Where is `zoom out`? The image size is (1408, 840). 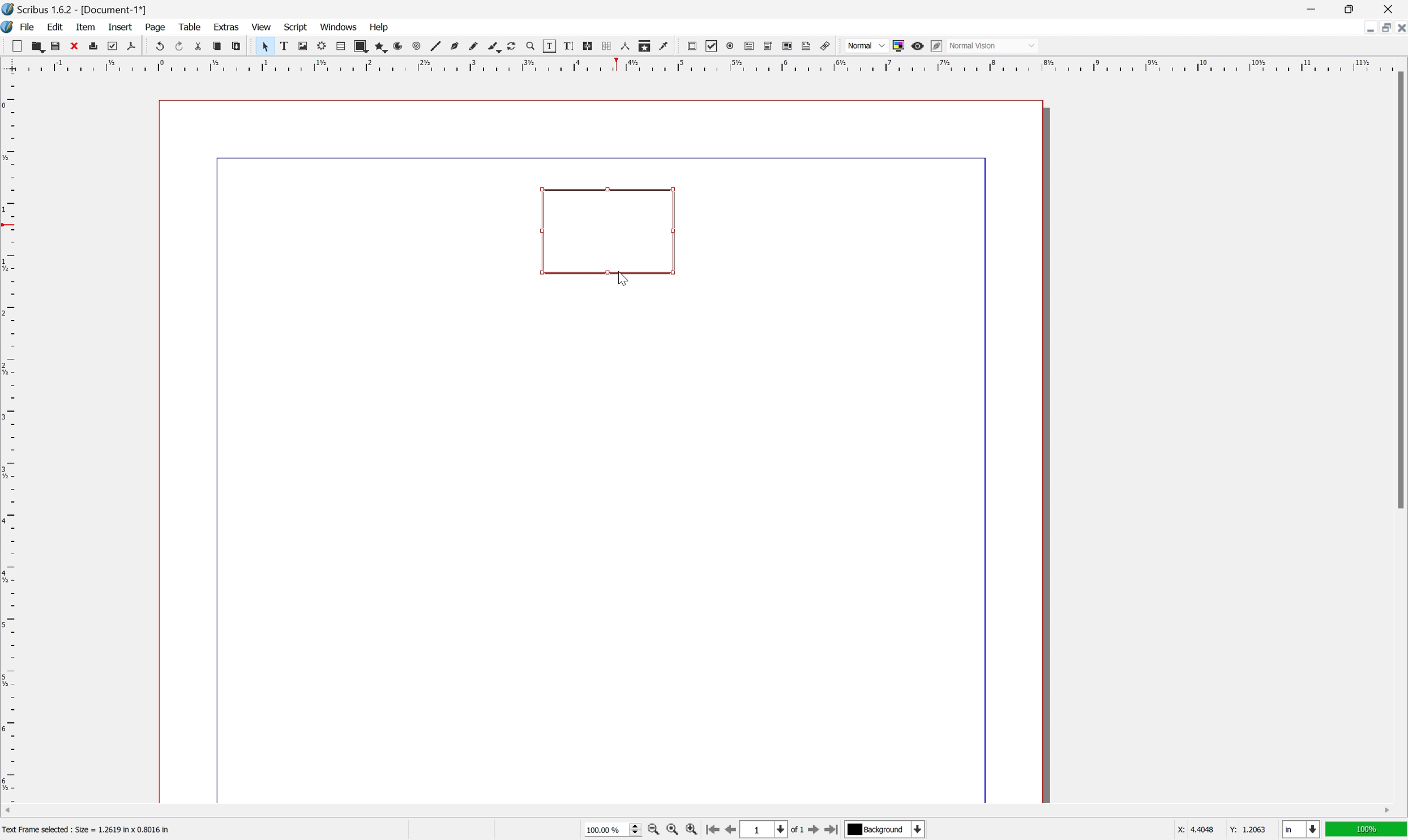 zoom out is located at coordinates (654, 830).